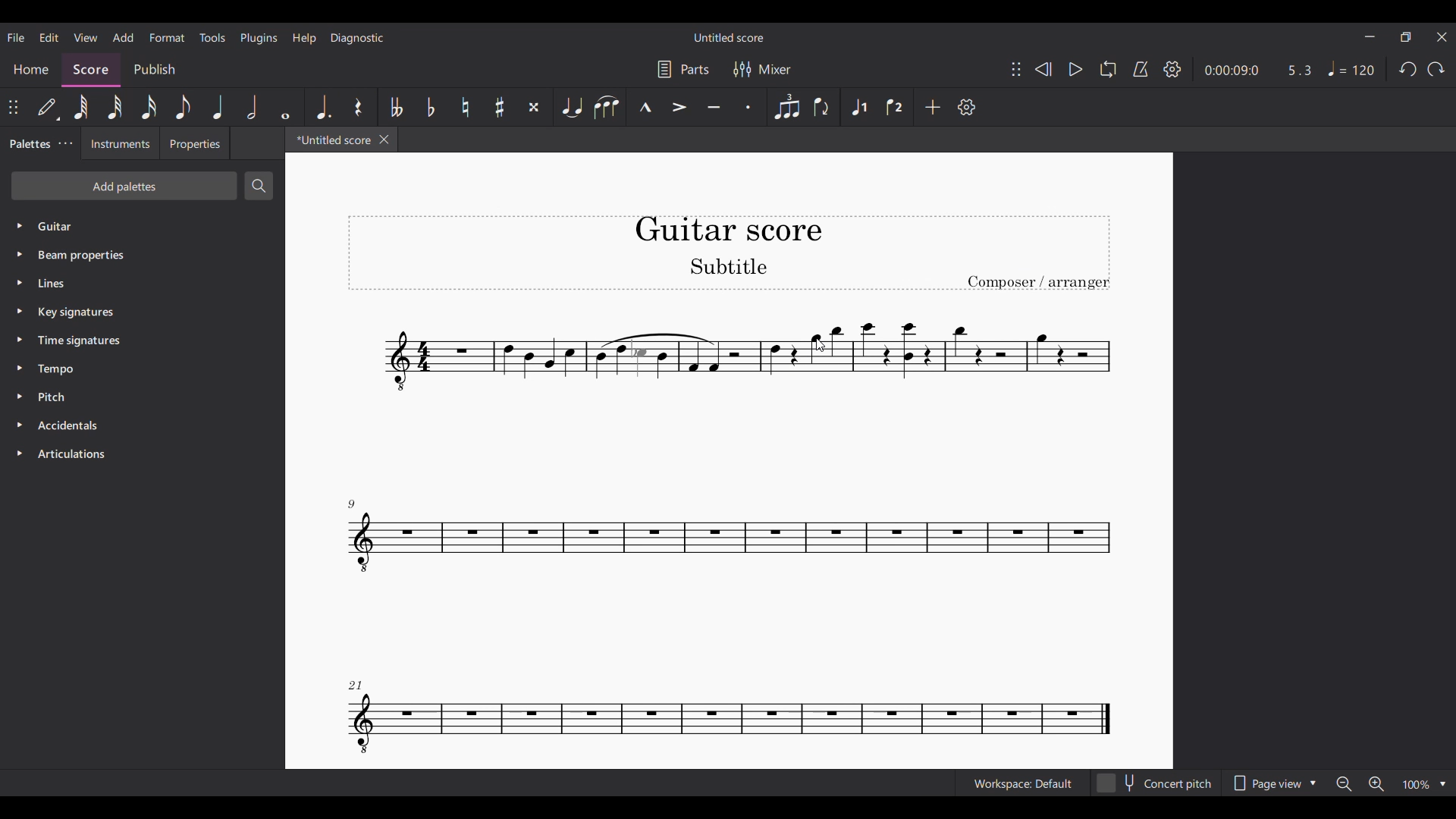 This screenshot has width=1456, height=819. What do you see at coordinates (54, 397) in the screenshot?
I see `Pitch` at bounding box center [54, 397].